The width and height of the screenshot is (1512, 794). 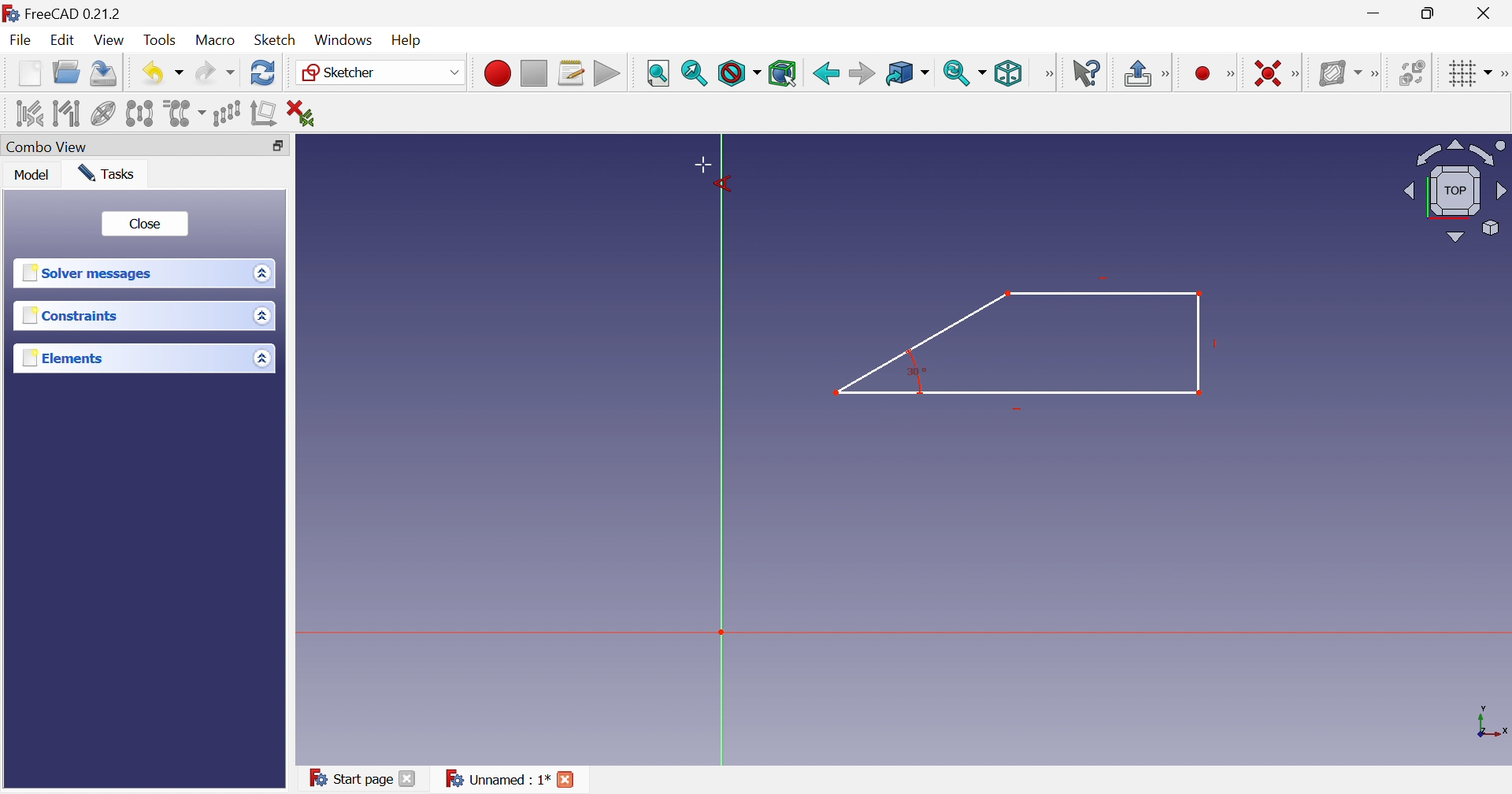 What do you see at coordinates (1492, 722) in the screenshot?
I see `X, Y plane` at bounding box center [1492, 722].